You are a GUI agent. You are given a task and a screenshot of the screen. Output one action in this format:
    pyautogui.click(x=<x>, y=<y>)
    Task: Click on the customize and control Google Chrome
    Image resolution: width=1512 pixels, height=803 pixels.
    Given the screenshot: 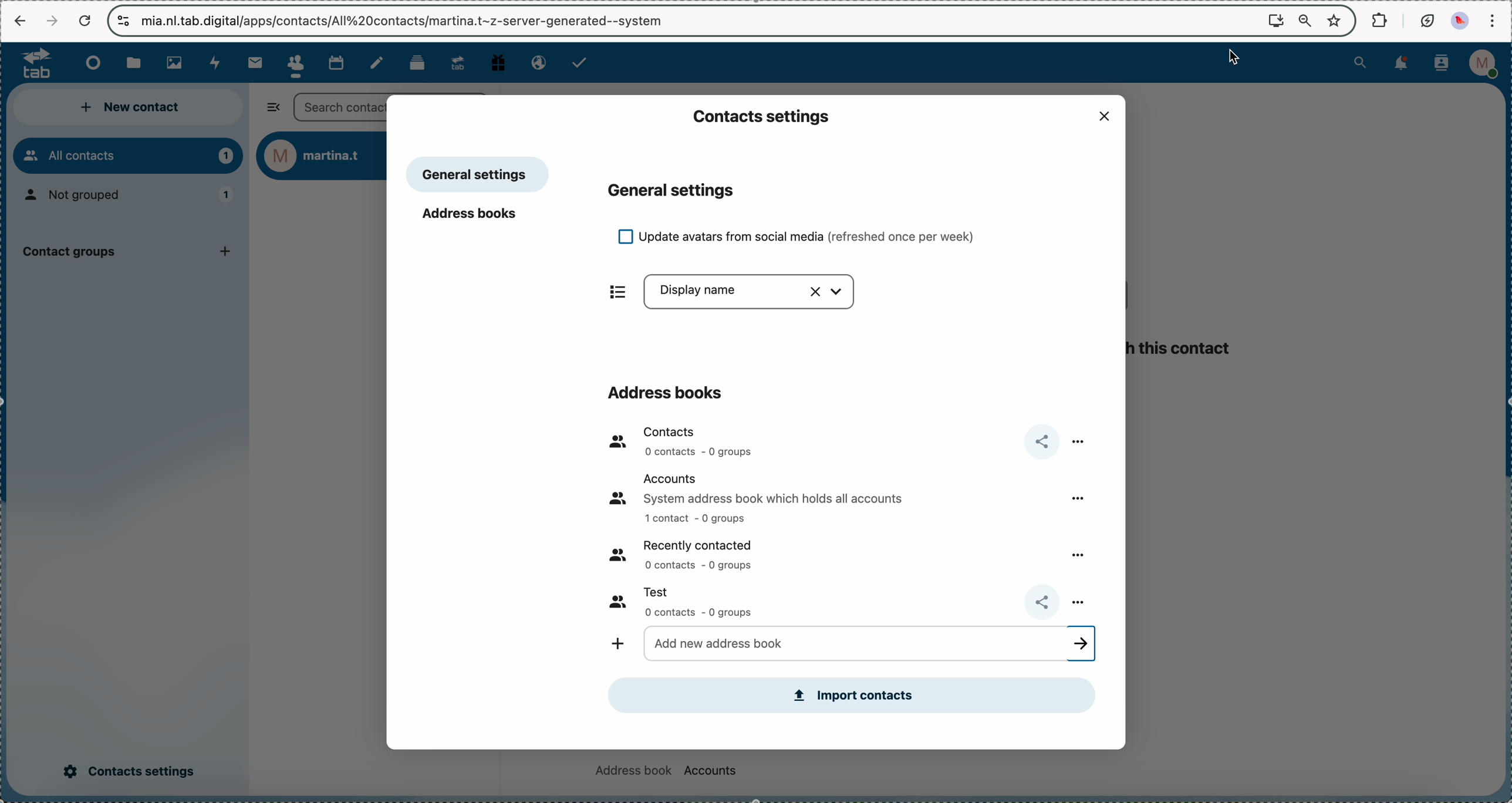 What is the action you would take?
    pyautogui.click(x=1495, y=19)
    